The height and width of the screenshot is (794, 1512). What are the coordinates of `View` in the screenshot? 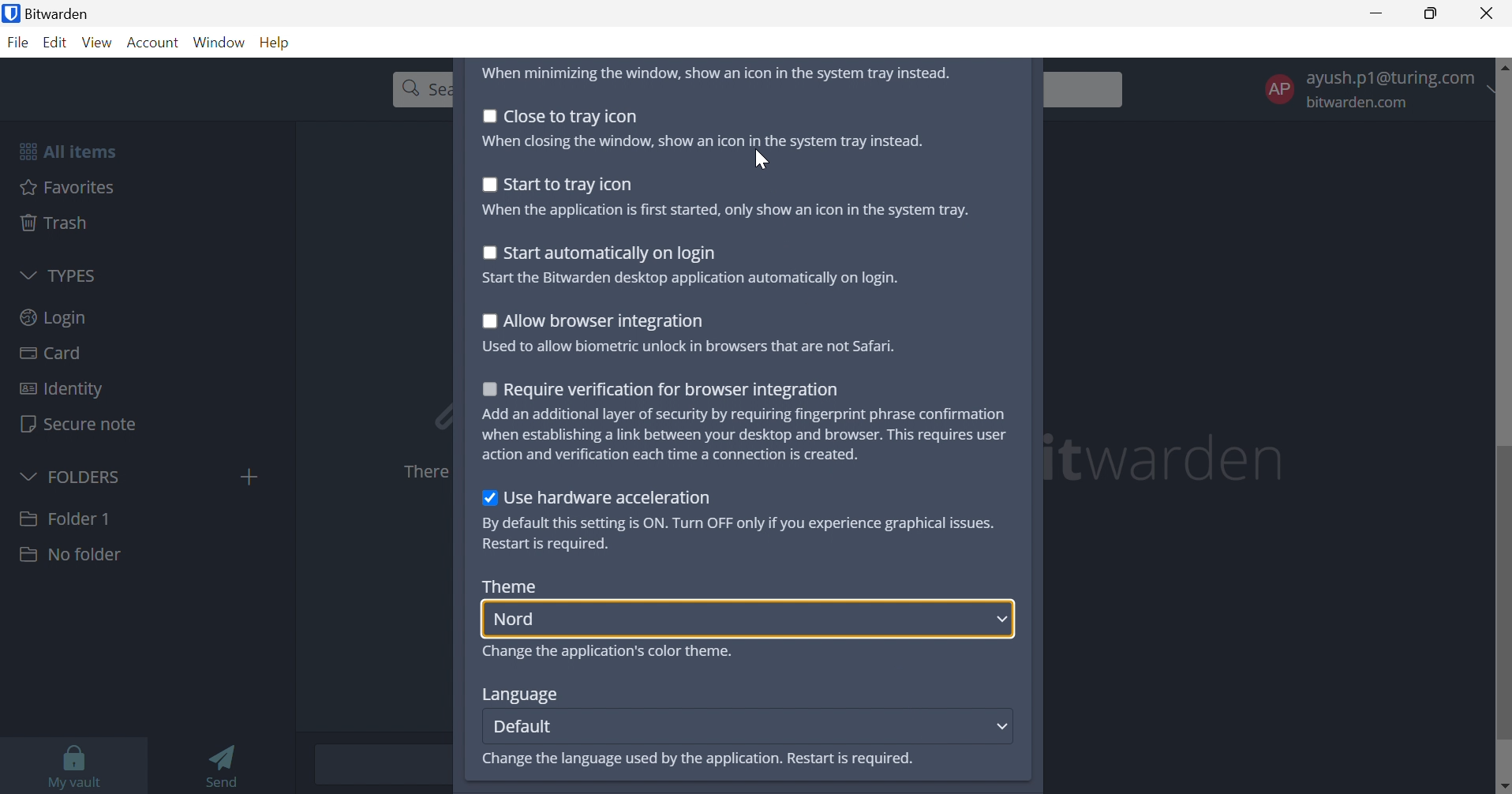 It's located at (99, 43).